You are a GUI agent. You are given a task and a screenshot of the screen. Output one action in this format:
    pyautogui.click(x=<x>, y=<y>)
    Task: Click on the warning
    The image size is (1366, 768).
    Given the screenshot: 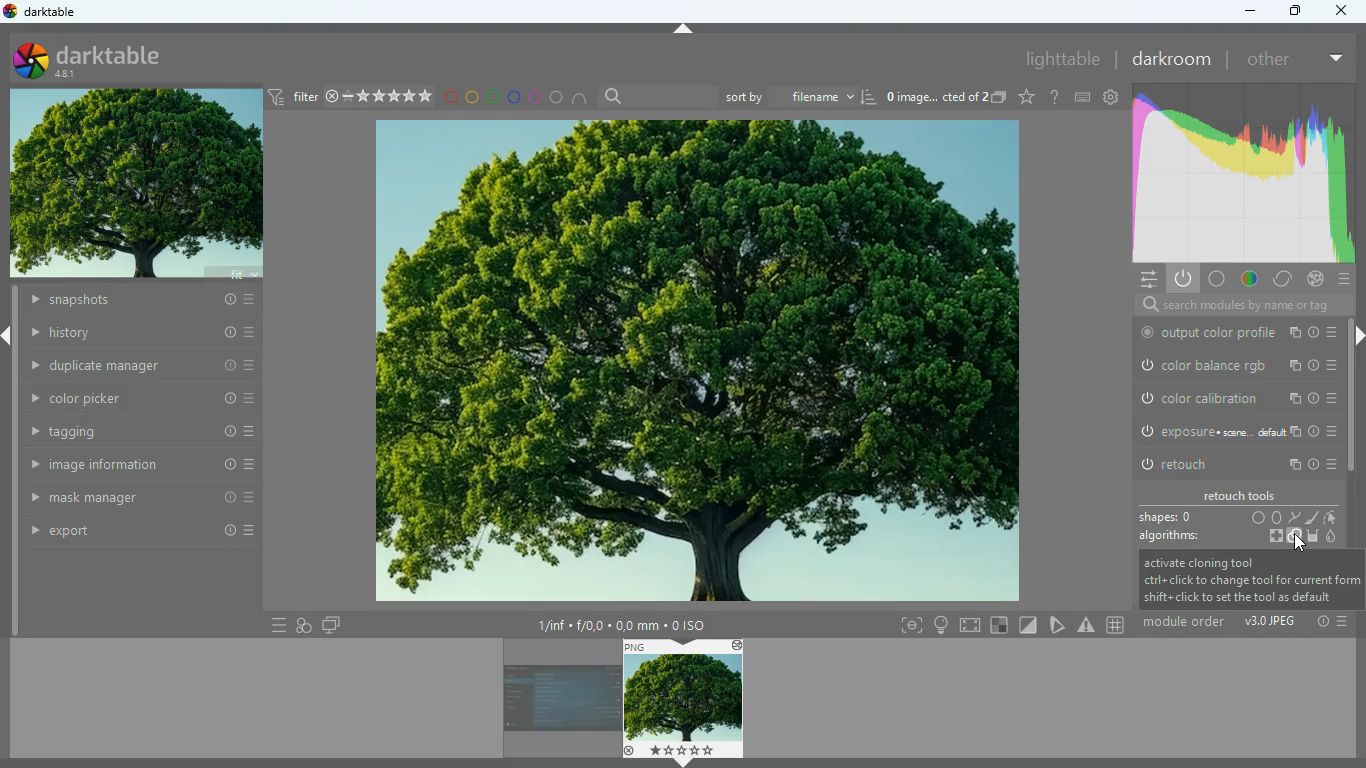 What is the action you would take?
    pyautogui.click(x=1087, y=625)
    